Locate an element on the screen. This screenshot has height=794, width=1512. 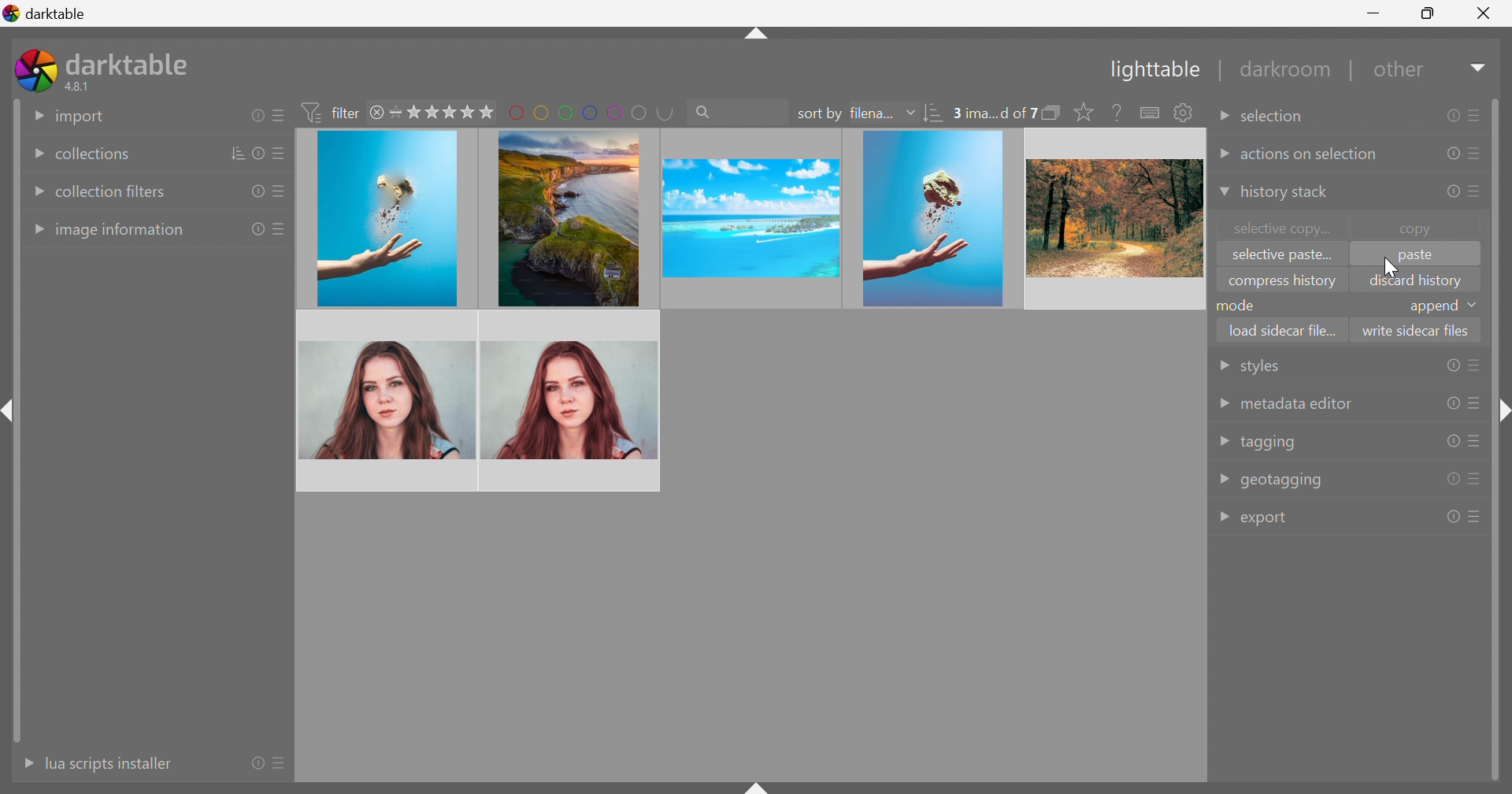
reset is located at coordinates (1451, 365).